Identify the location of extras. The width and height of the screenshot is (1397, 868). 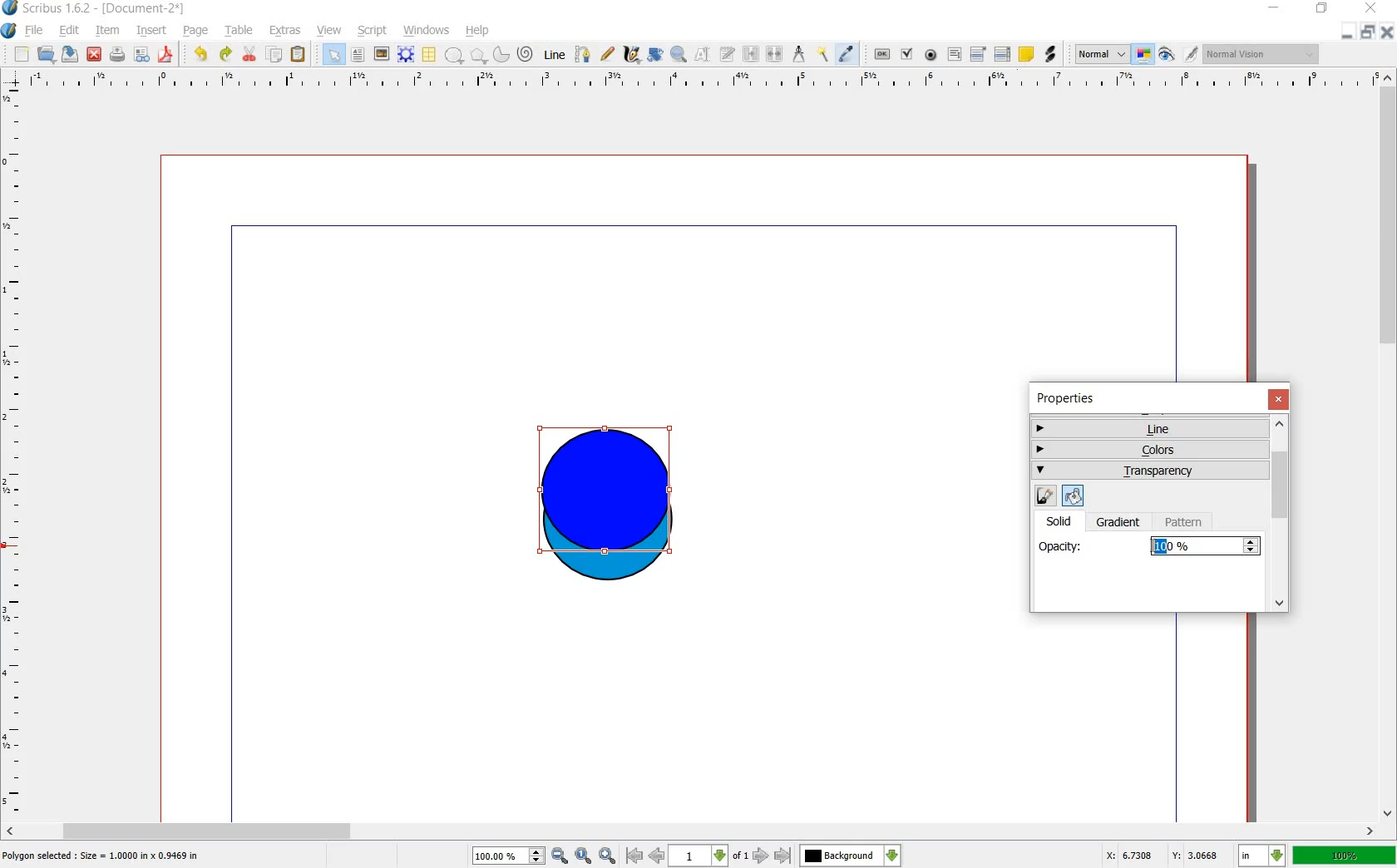
(285, 31).